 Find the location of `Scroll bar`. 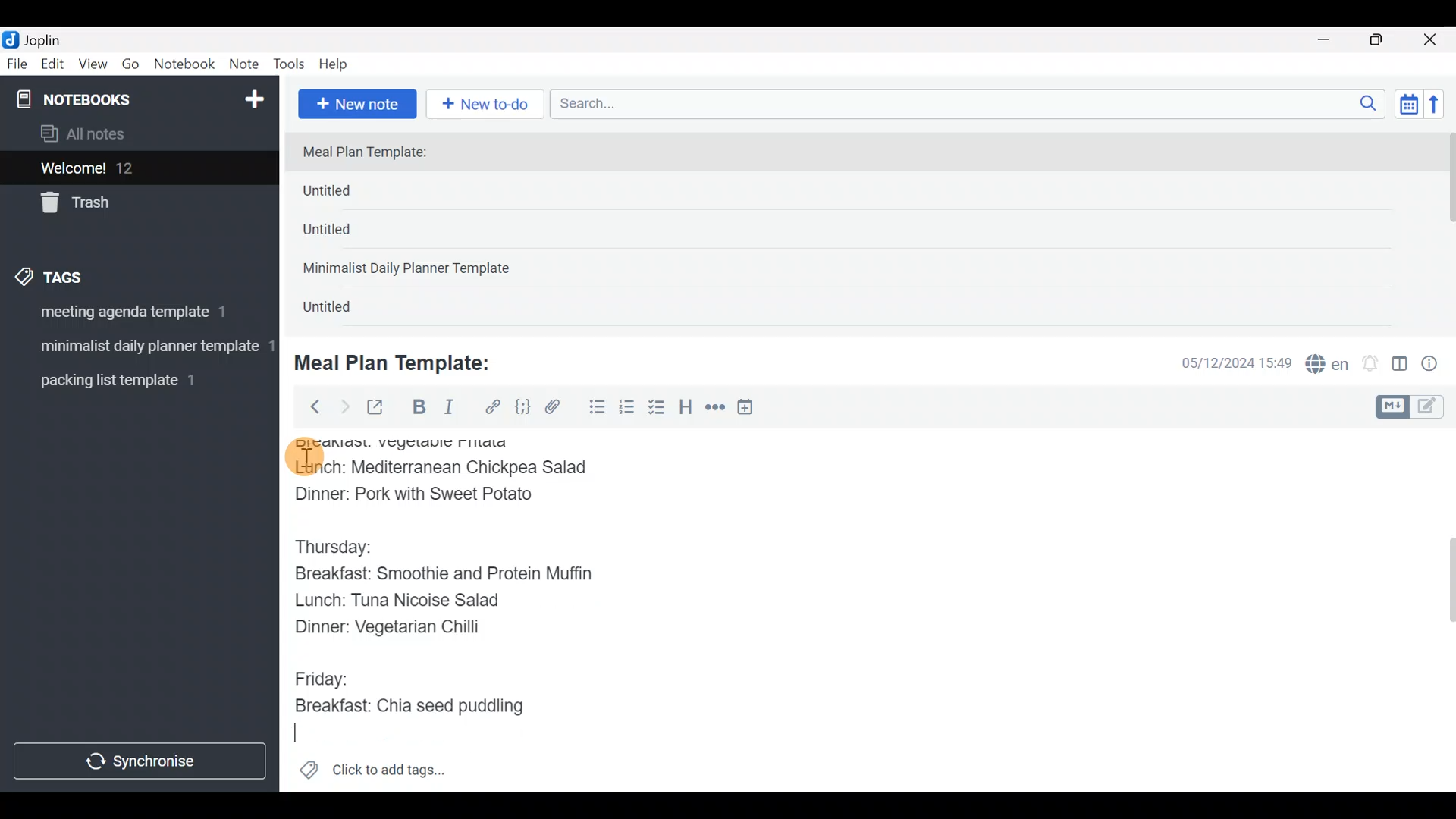

Scroll bar is located at coordinates (1440, 610).